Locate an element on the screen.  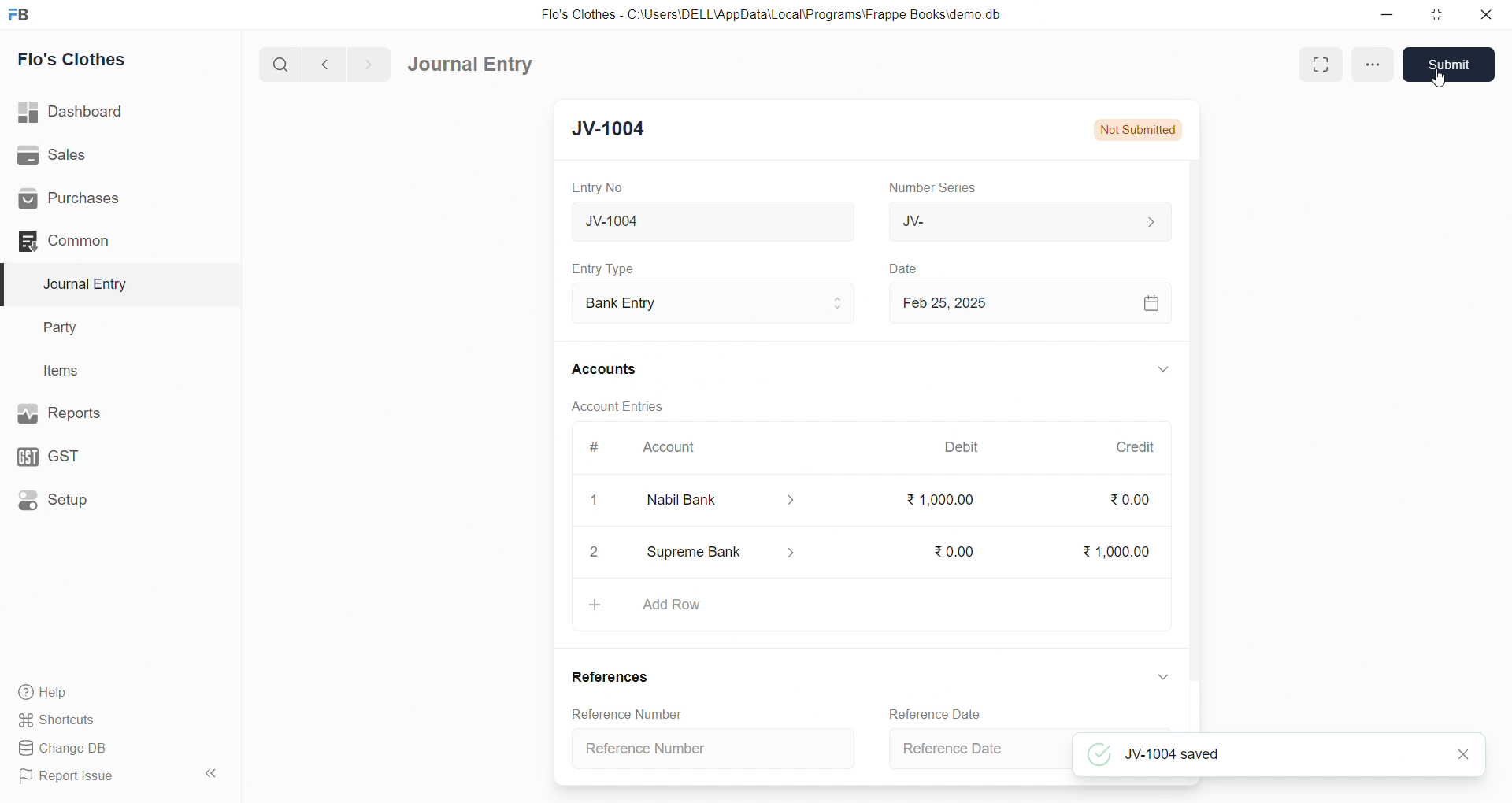
Account Entries is located at coordinates (616, 405).